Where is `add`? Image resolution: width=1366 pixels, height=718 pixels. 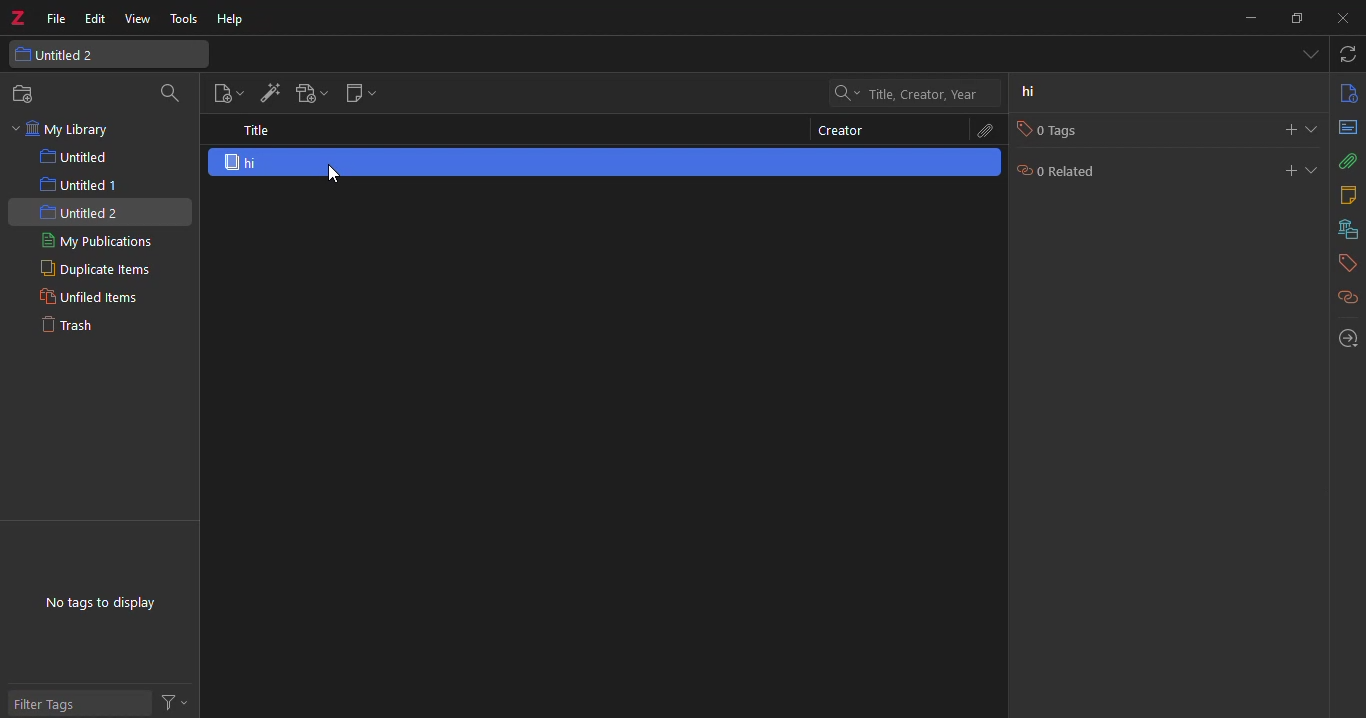 add is located at coordinates (1284, 128).